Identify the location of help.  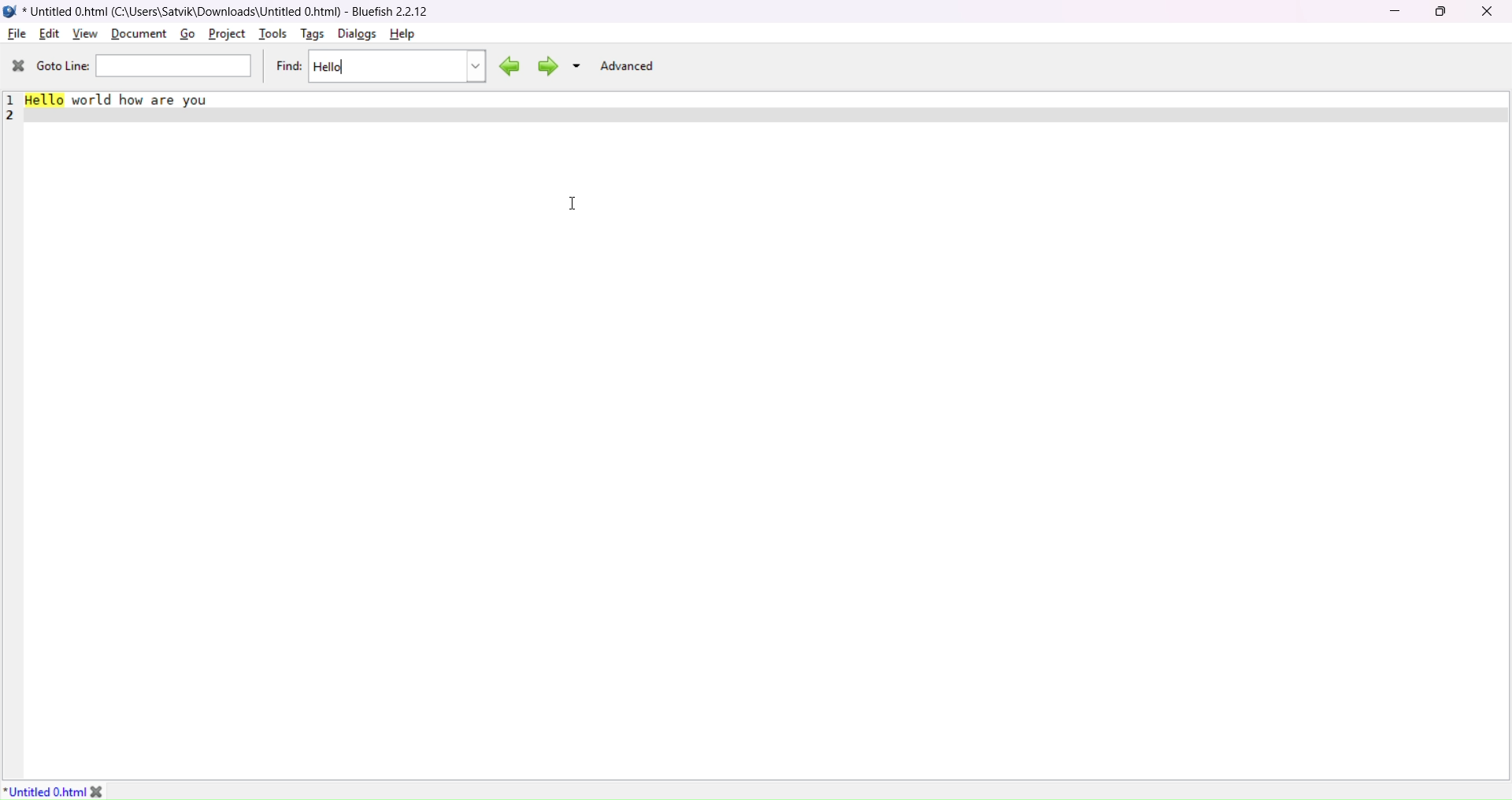
(402, 35).